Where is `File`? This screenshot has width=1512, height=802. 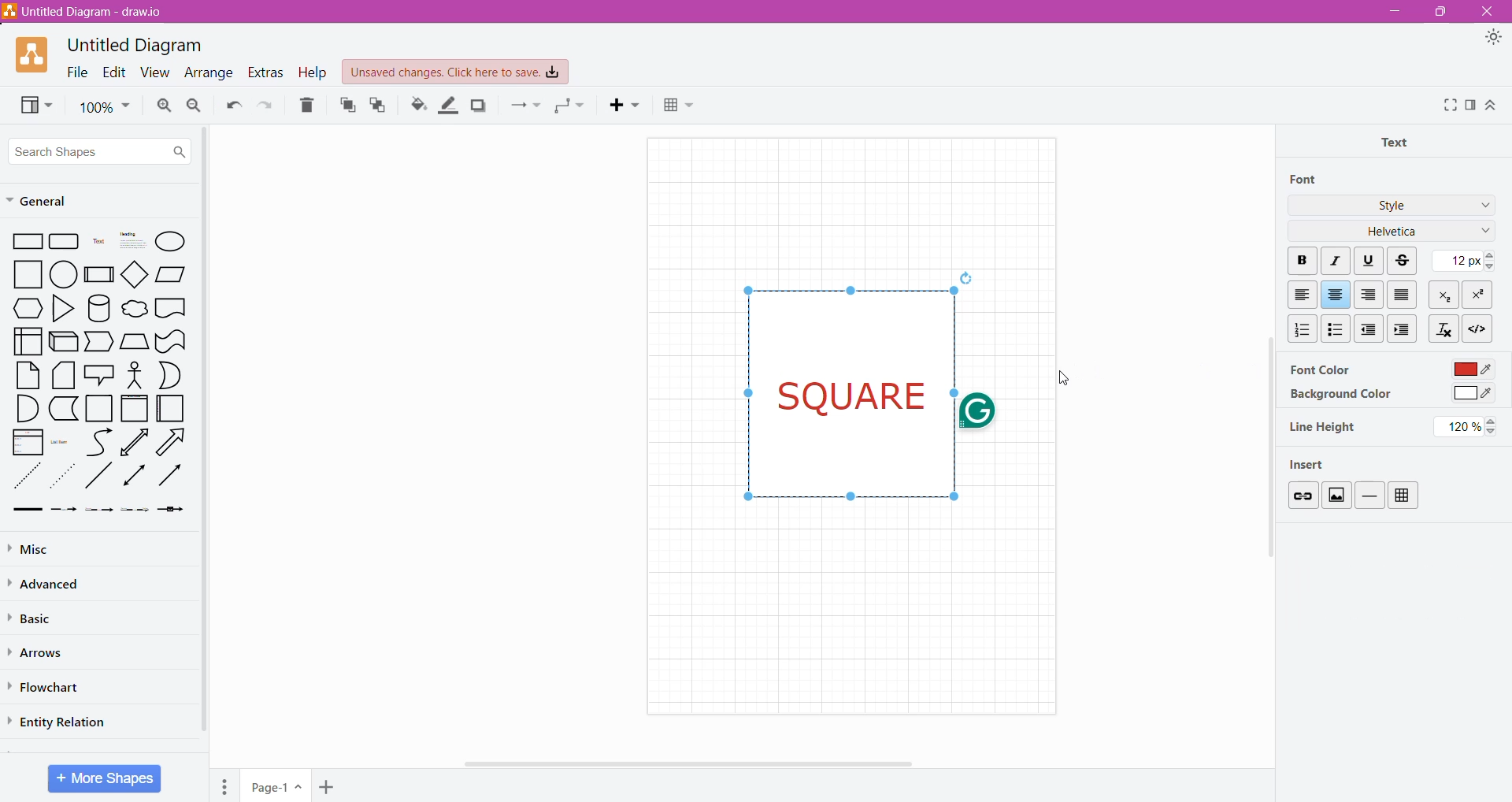 File is located at coordinates (77, 71).